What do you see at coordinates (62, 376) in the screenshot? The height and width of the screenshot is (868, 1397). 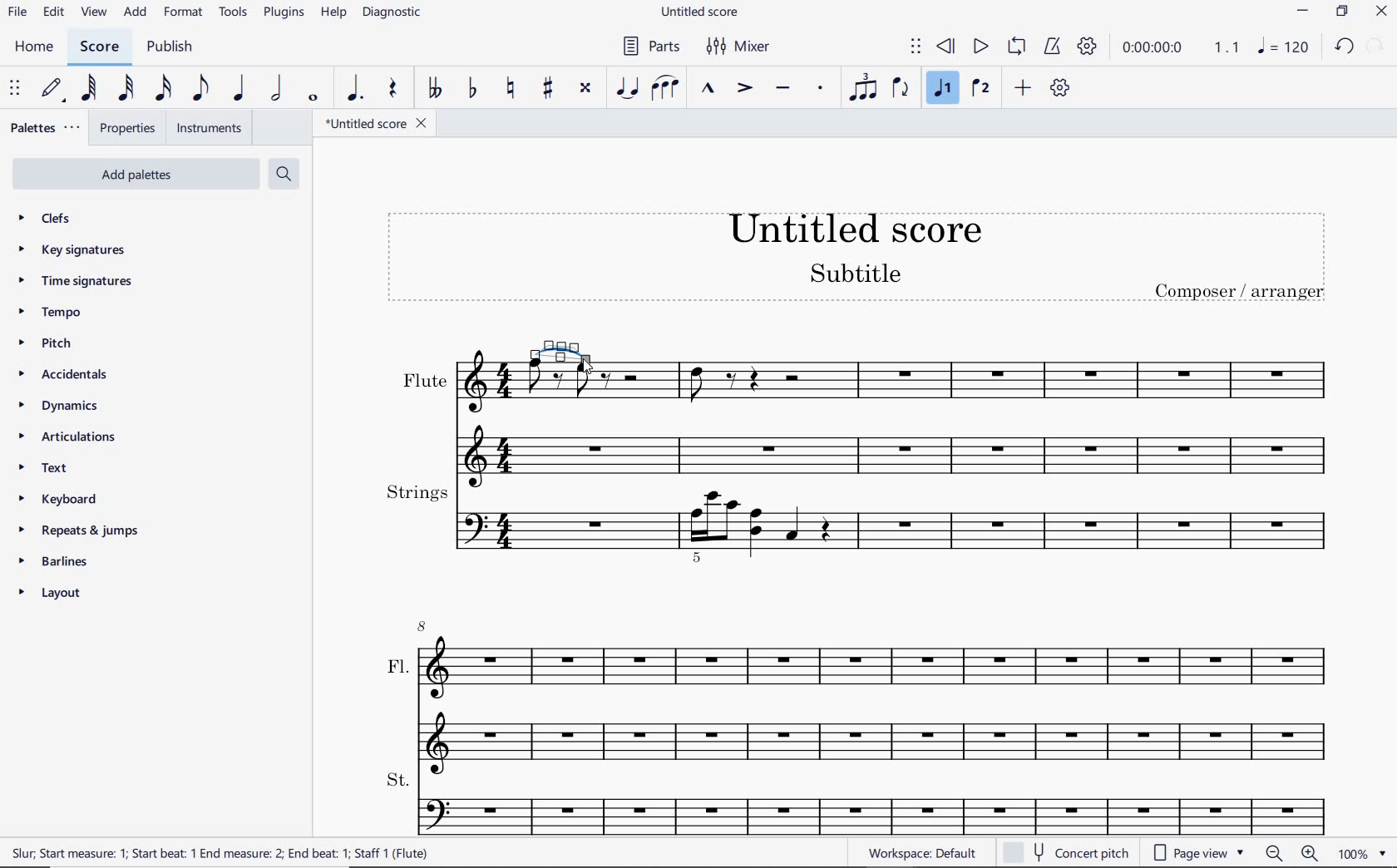 I see `accidentals` at bounding box center [62, 376].